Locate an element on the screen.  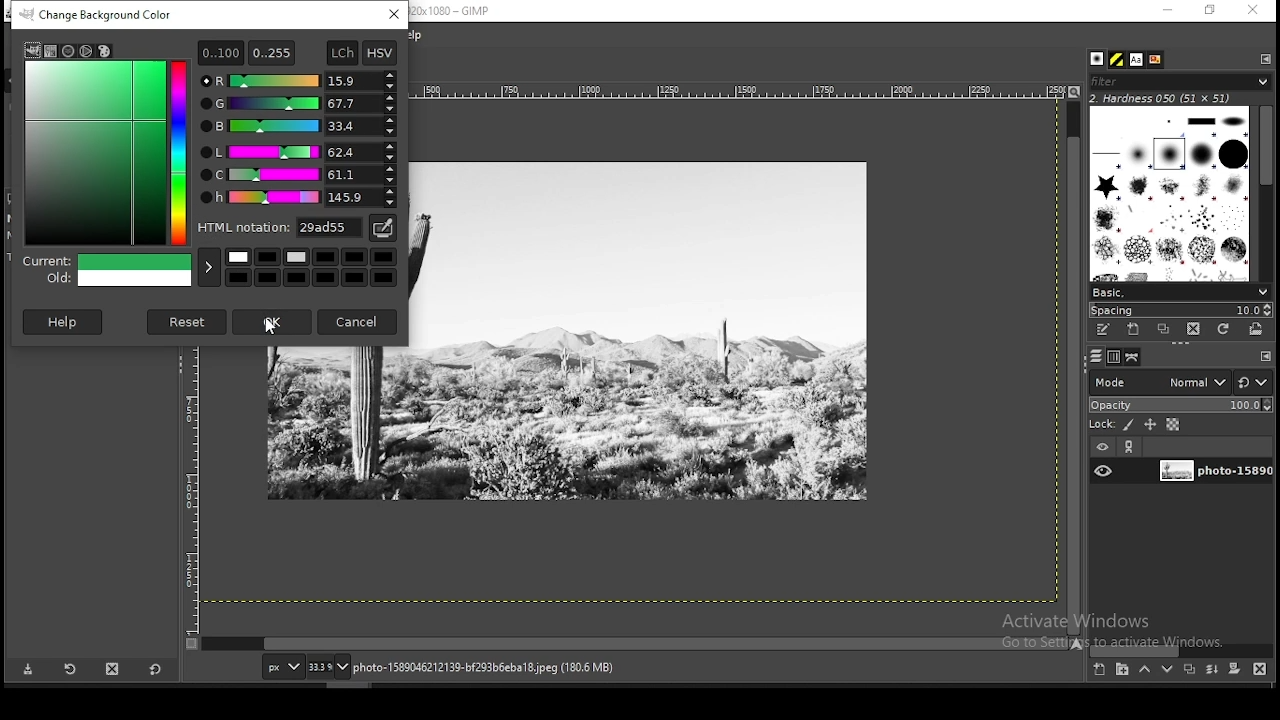
close window is located at coordinates (1252, 10).